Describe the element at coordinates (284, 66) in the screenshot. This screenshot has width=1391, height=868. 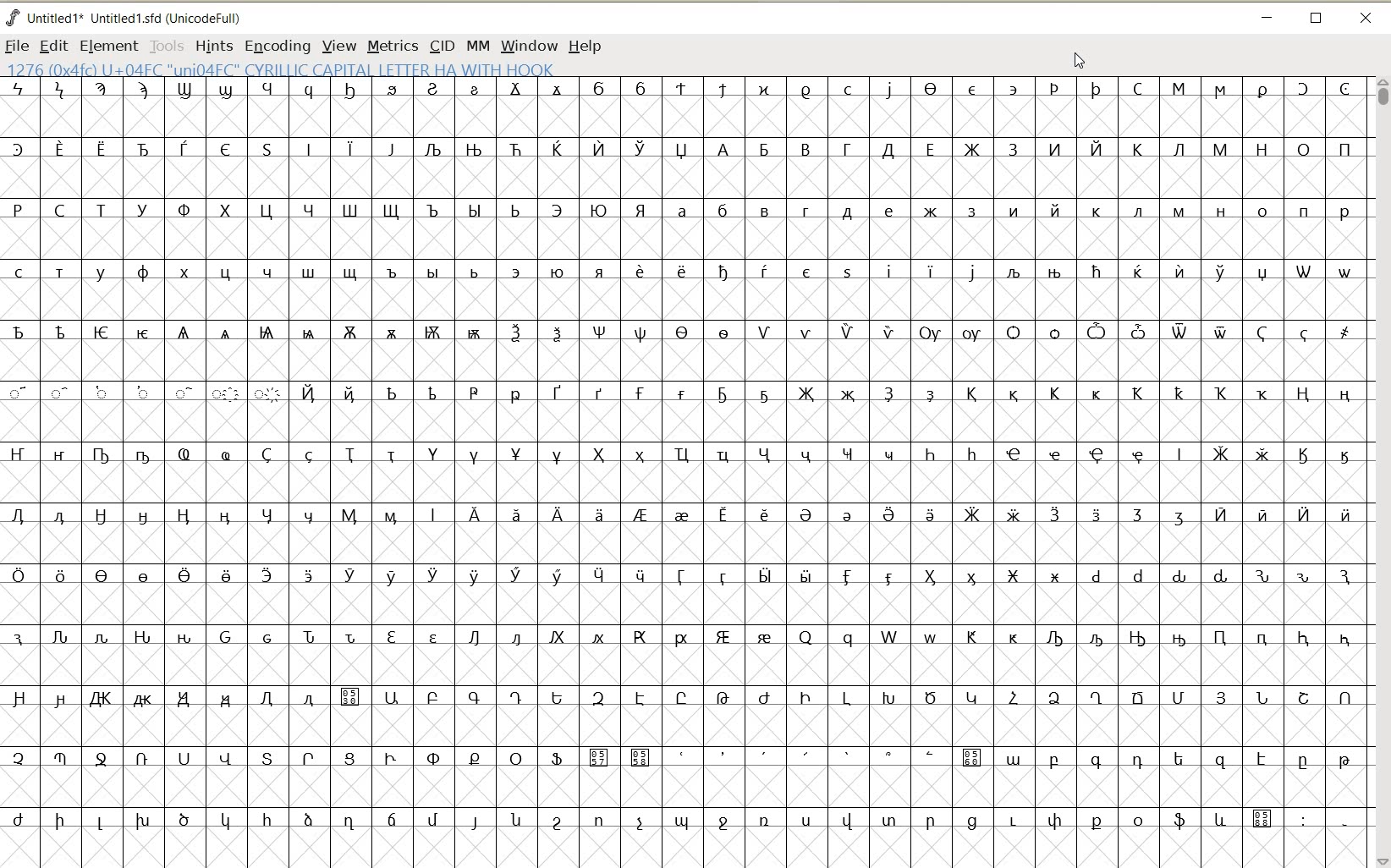
I see `GLYPHY INFO` at that location.